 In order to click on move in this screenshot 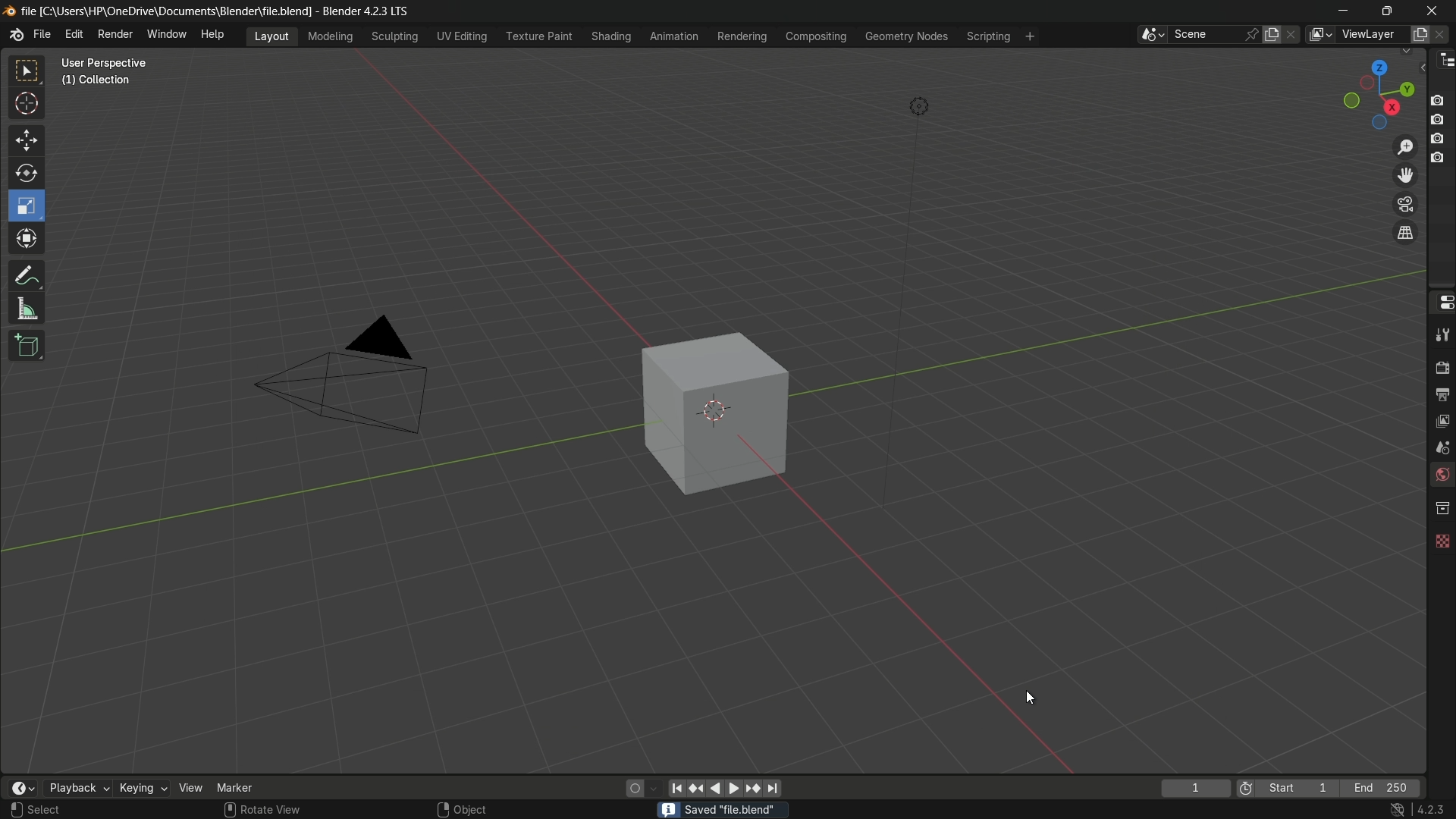, I will do `click(25, 139)`.